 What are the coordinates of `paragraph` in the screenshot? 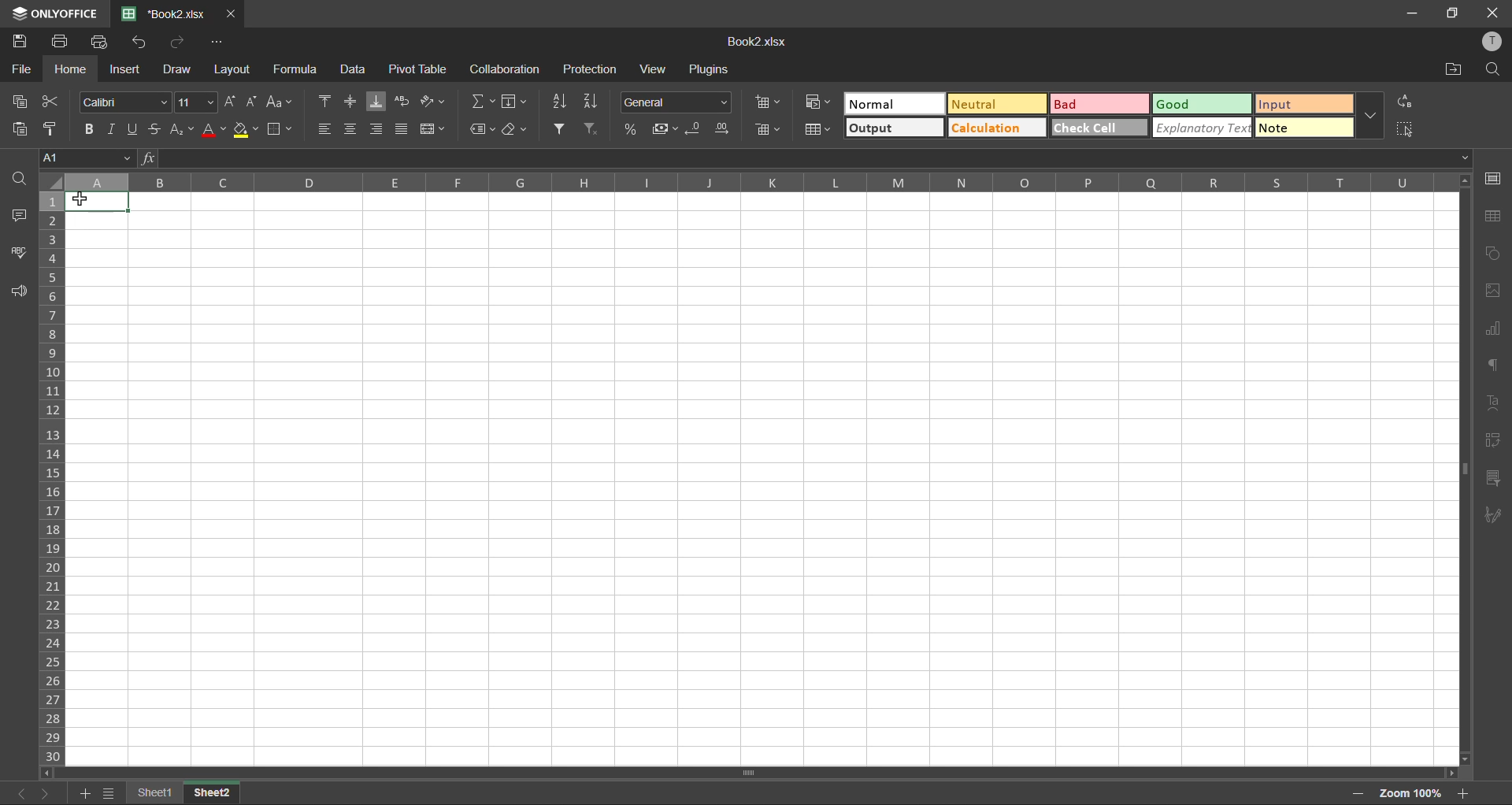 It's located at (1492, 364).